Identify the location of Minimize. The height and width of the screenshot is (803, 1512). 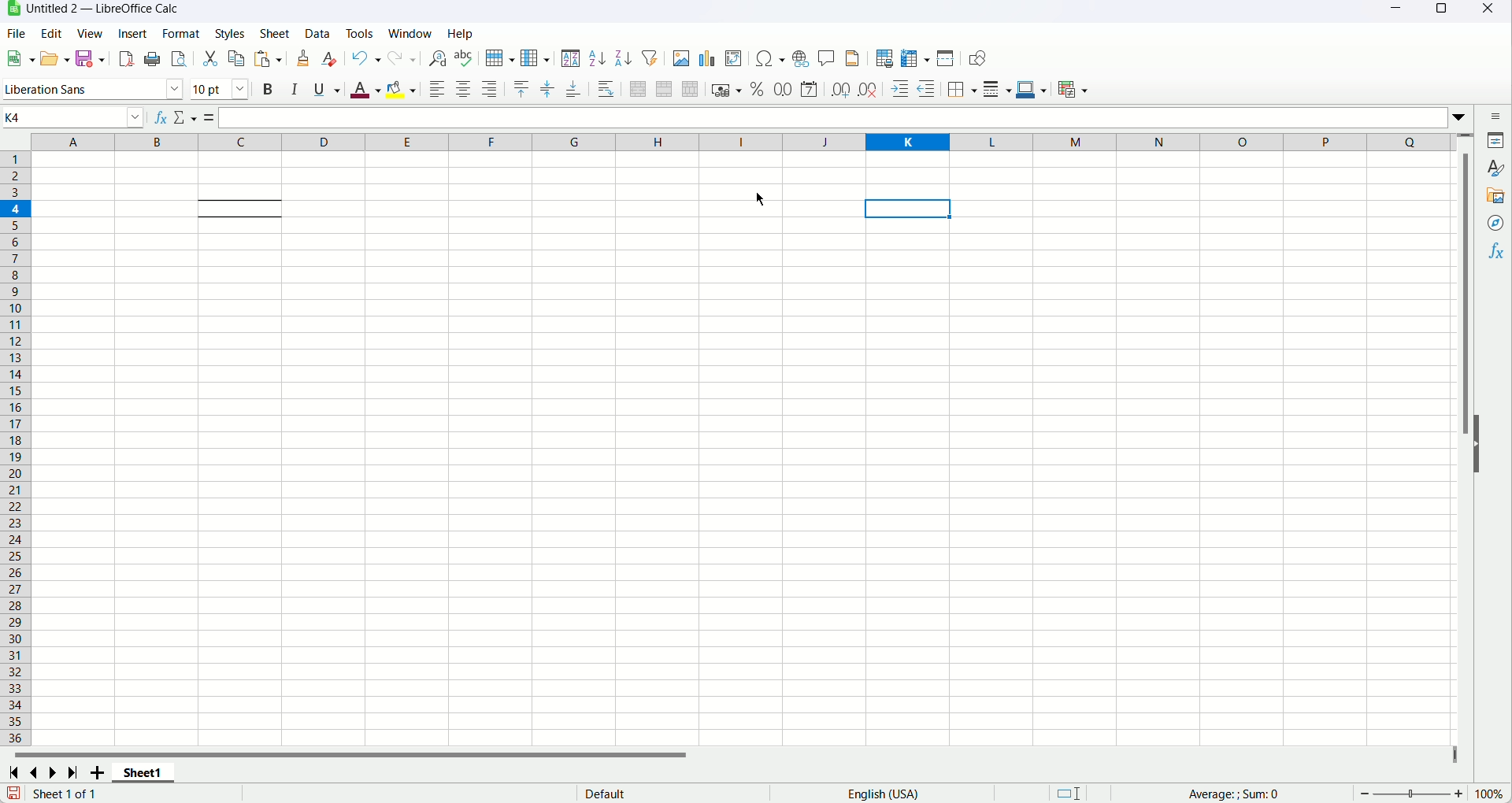
(1399, 11).